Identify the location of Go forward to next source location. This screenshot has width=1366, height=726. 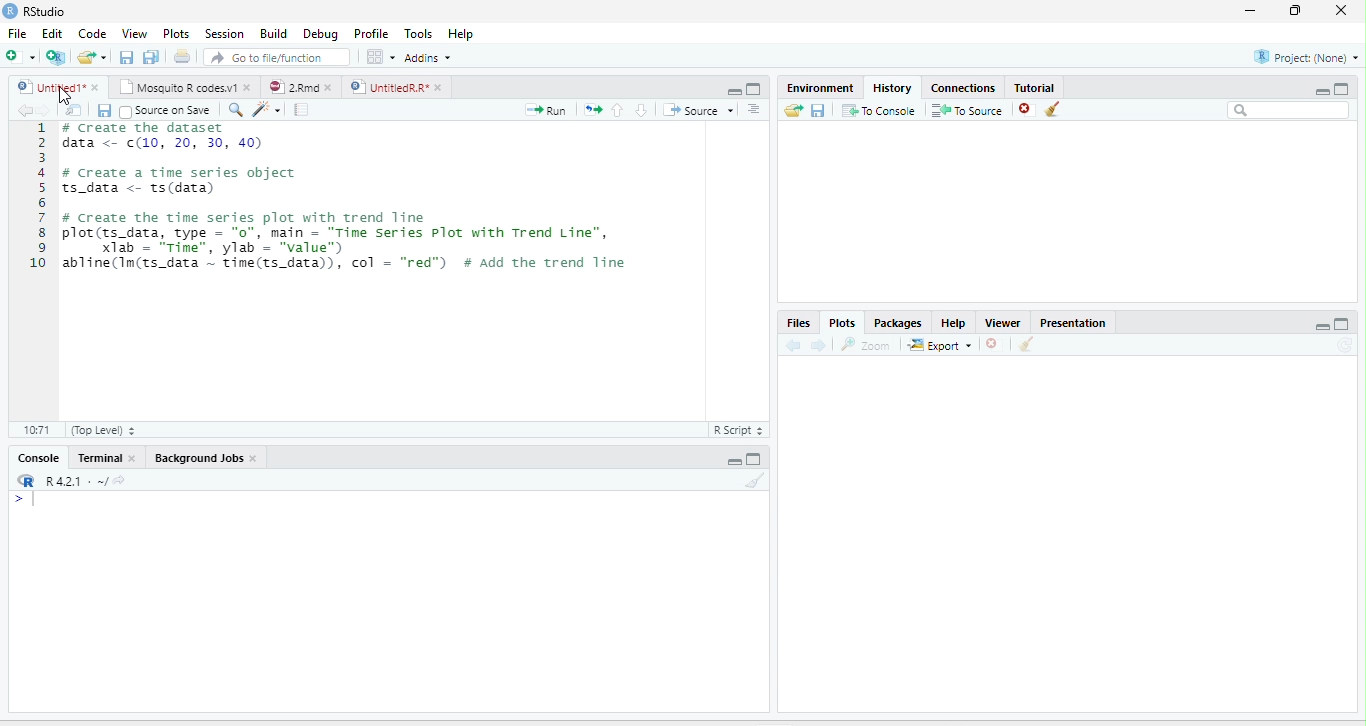
(44, 110).